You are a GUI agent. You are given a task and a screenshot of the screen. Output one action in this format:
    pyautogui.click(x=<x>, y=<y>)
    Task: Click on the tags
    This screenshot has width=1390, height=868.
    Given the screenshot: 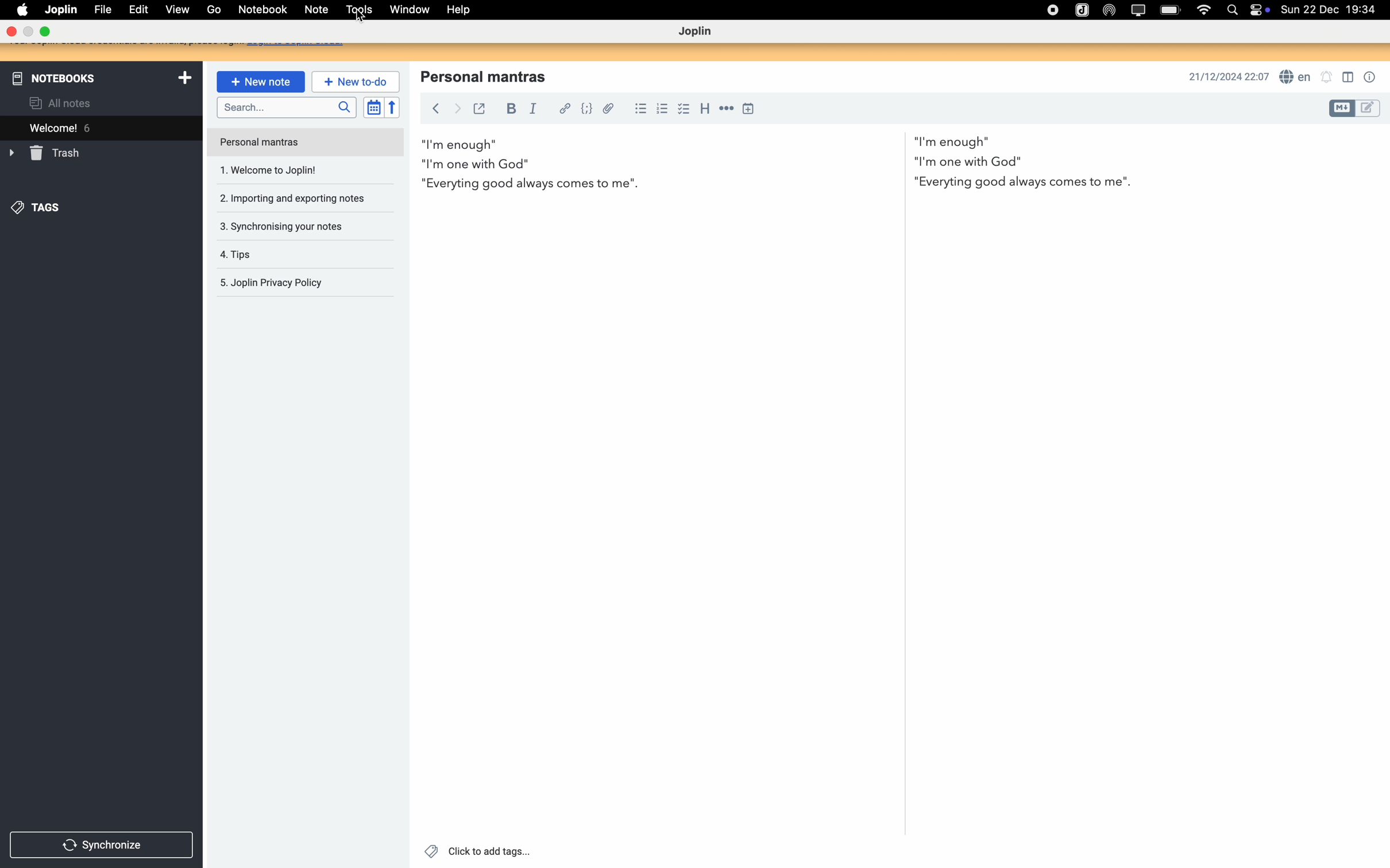 What is the action you would take?
    pyautogui.click(x=37, y=207)
    